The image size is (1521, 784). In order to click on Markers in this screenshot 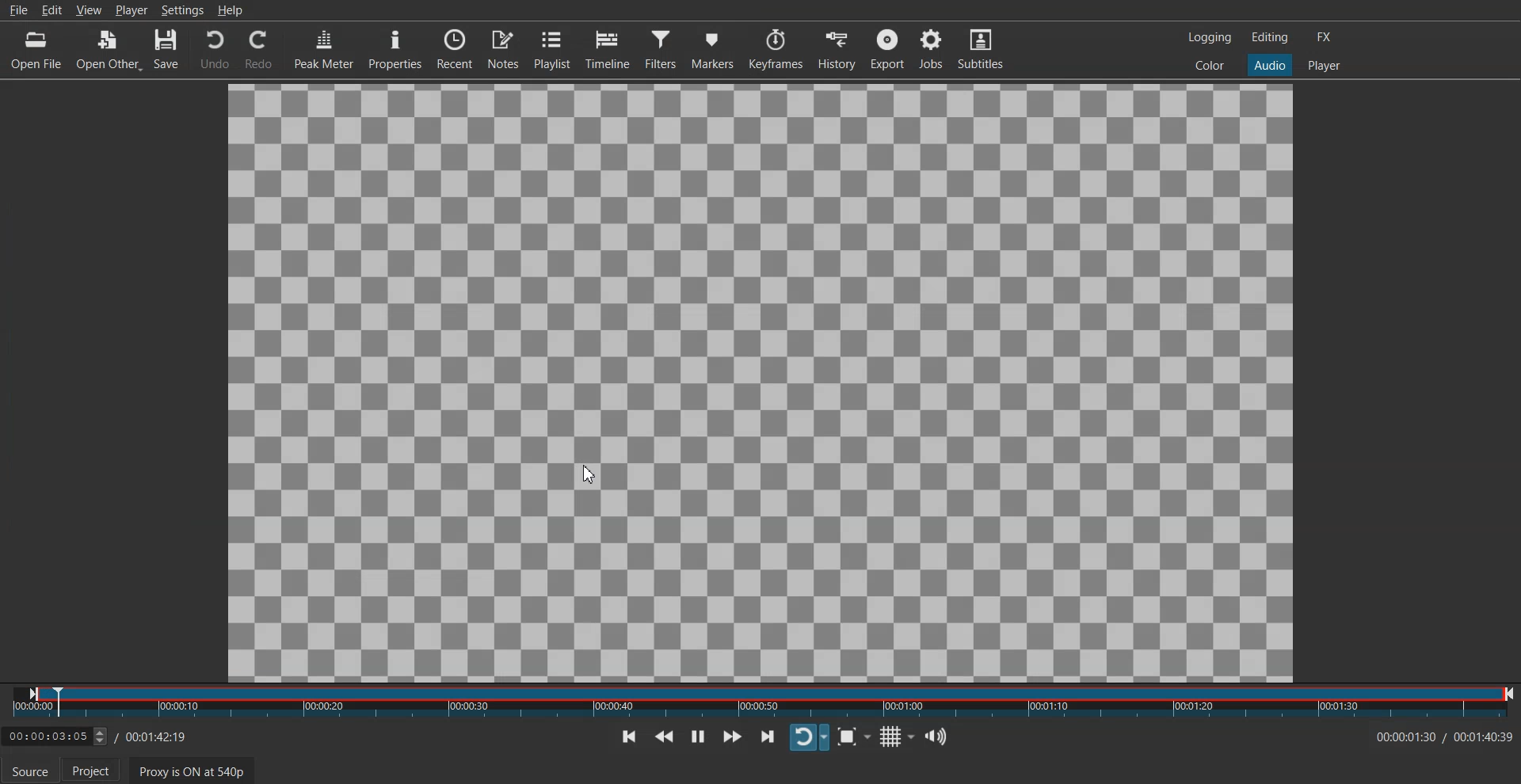, I will do `click(712, 49)`.